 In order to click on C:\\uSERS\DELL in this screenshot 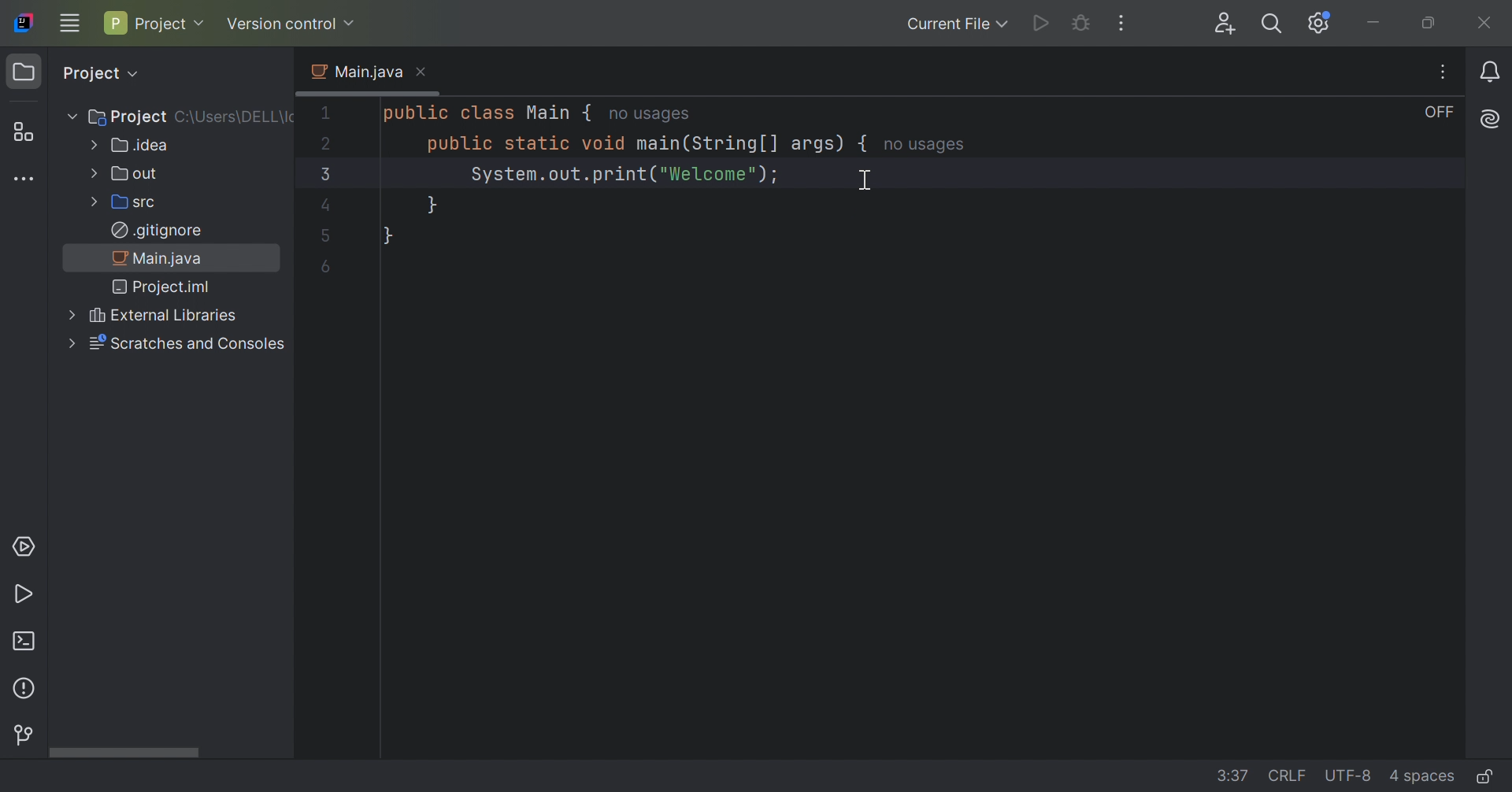, I will do `click(236, 115)`.